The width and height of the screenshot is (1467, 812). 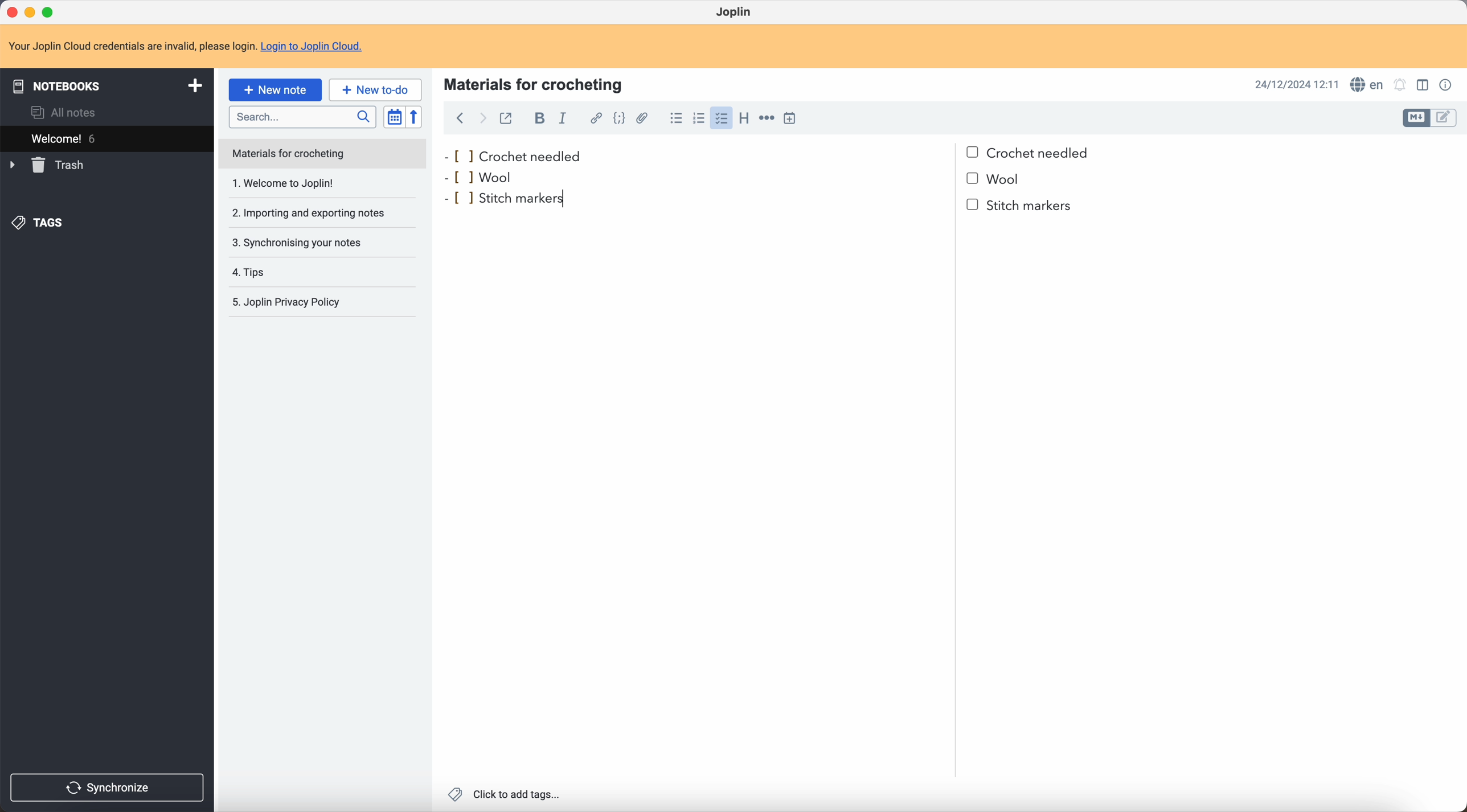 I want to click on notebooks, so click(x=105, y=84).